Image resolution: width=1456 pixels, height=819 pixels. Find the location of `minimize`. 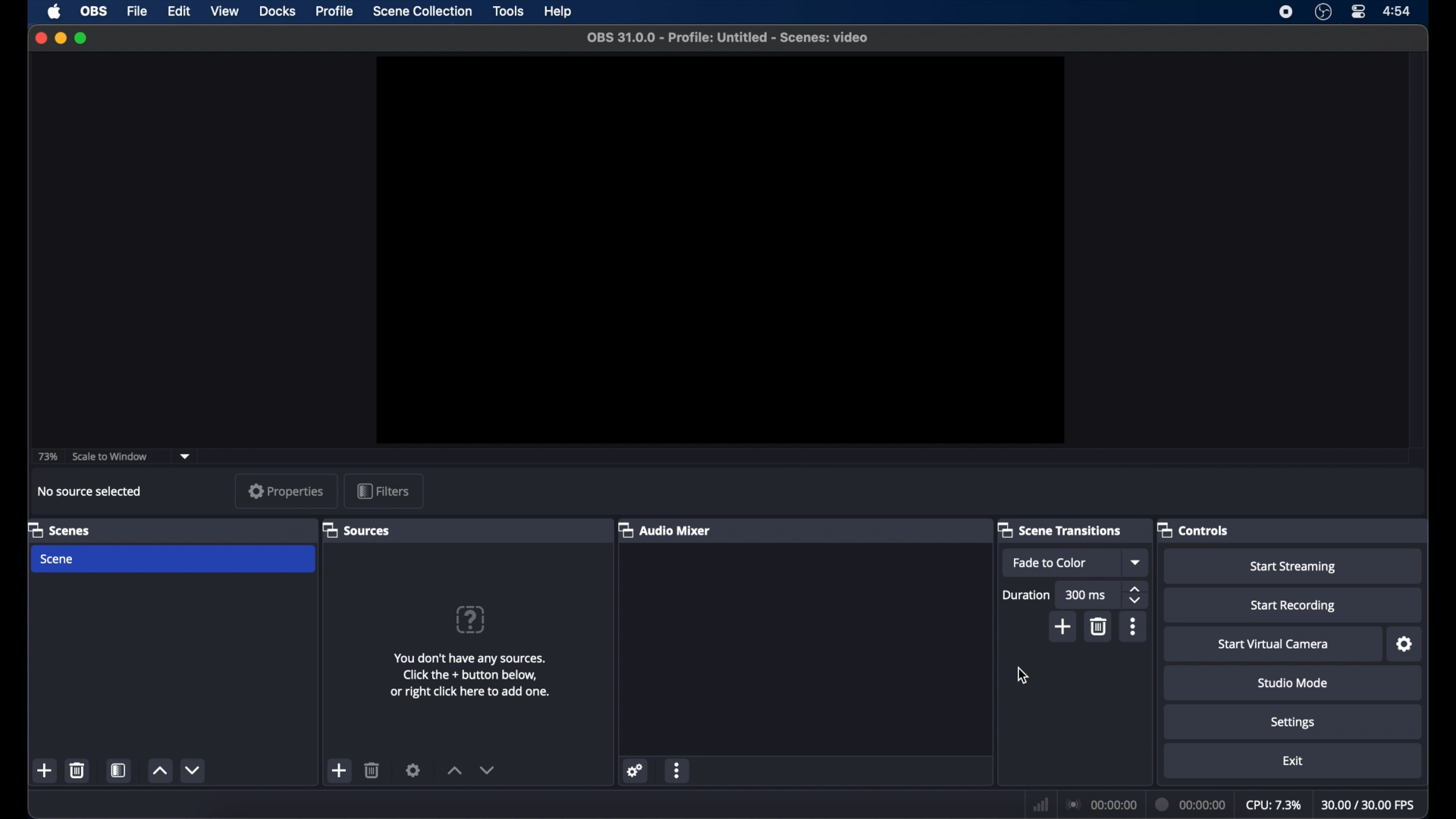

minimize is located at coordinates (60, 38).